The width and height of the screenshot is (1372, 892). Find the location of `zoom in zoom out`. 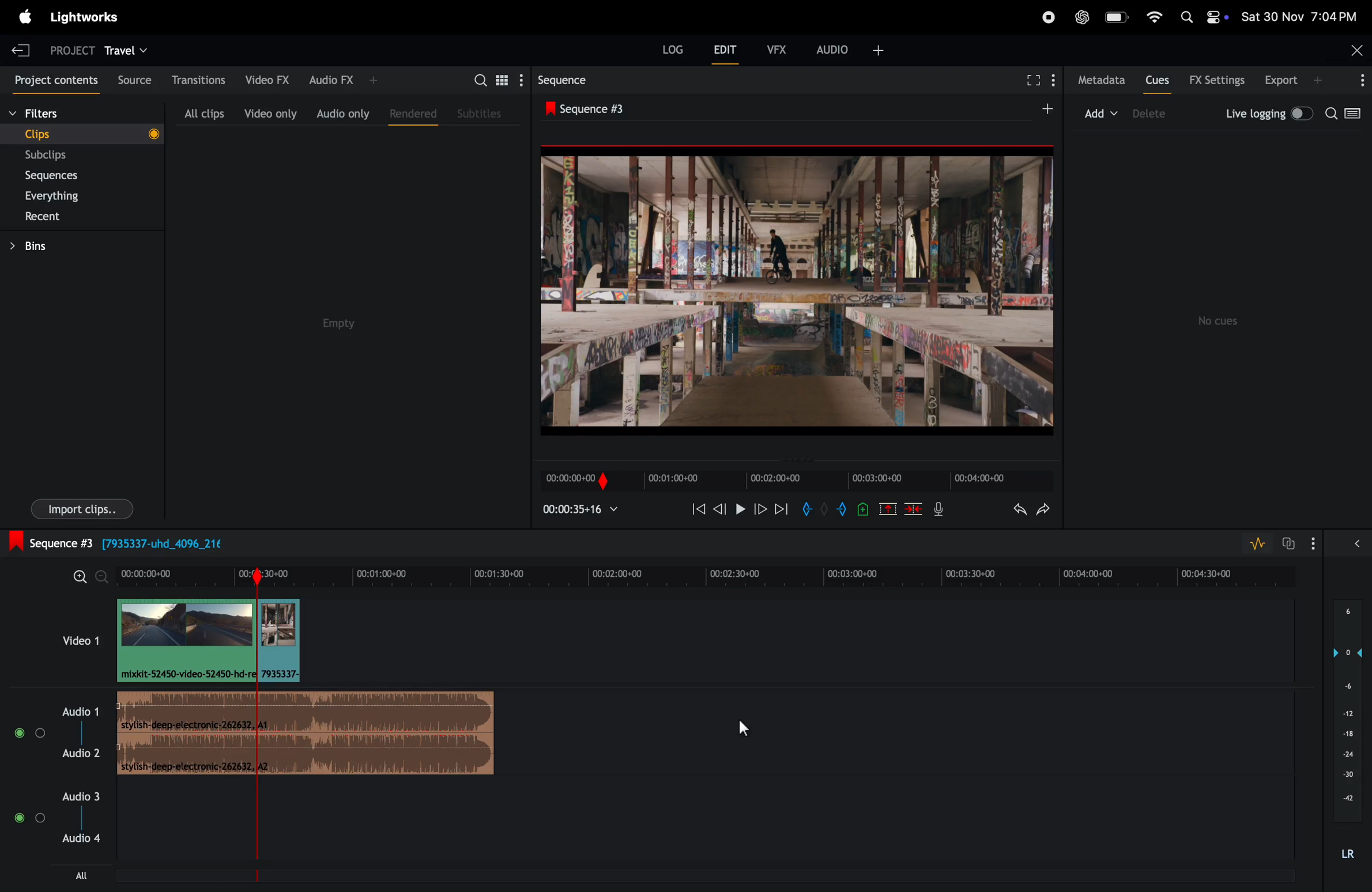

zoom in zoom out is located at coordinates (85, 577).